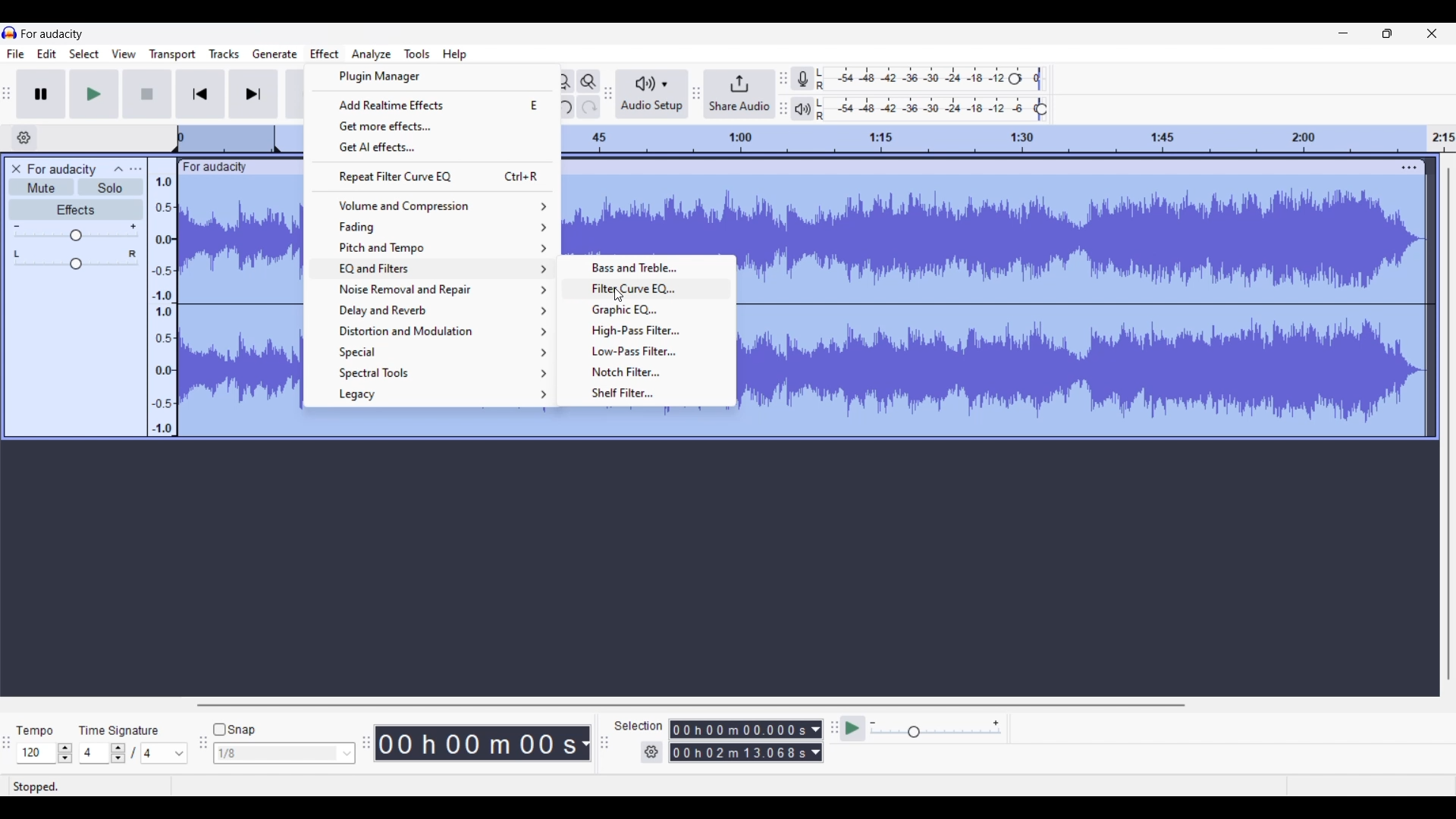 This screenshot has height=819, width=1456. I want to click on Play-at-speed/Play-at-speed once, so click(854, 729).